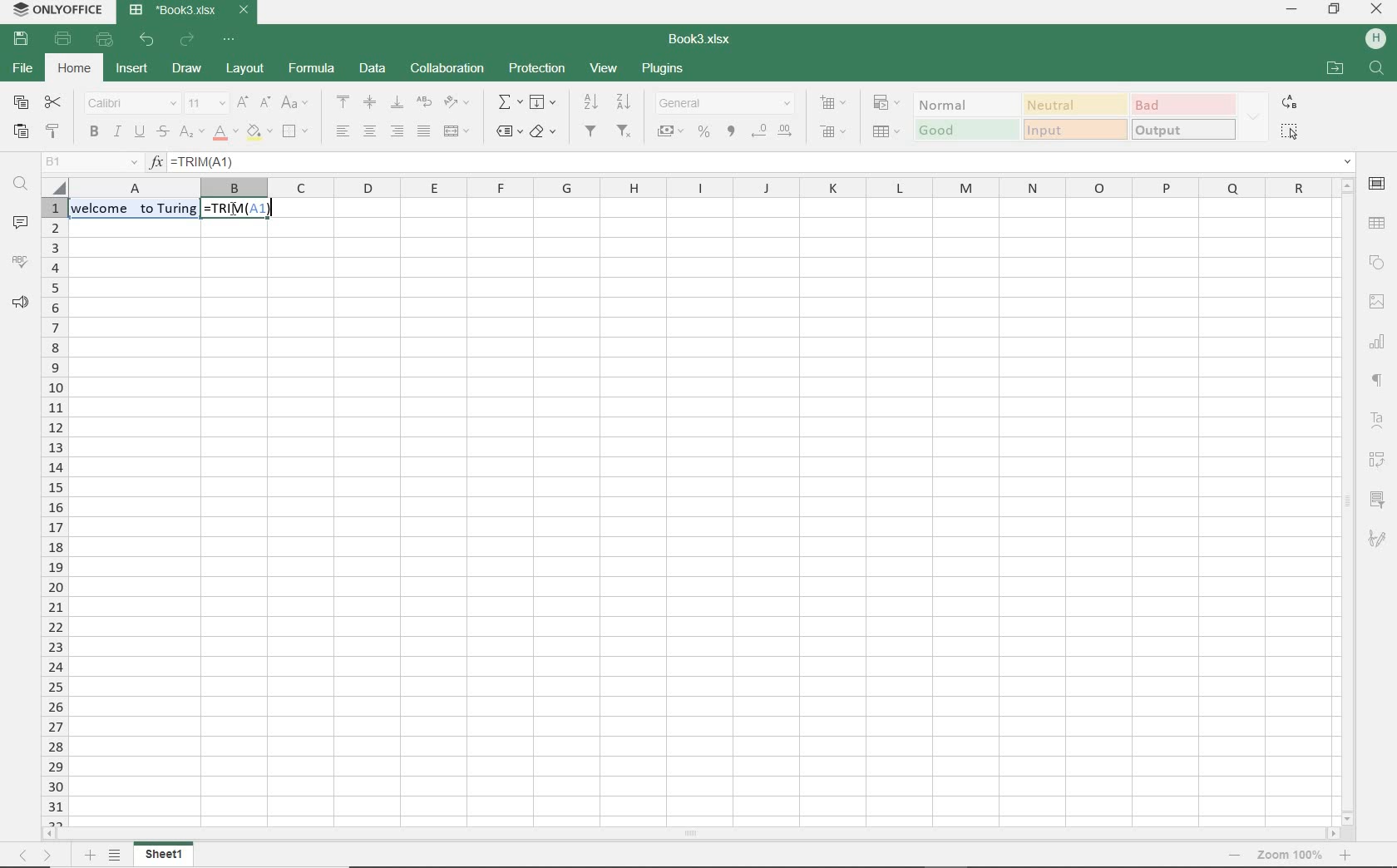 The width and height of the screenshot is (1397, 868). Describe the element at coordinates (671, 131) in the screenshot. I see `account style` at that location.